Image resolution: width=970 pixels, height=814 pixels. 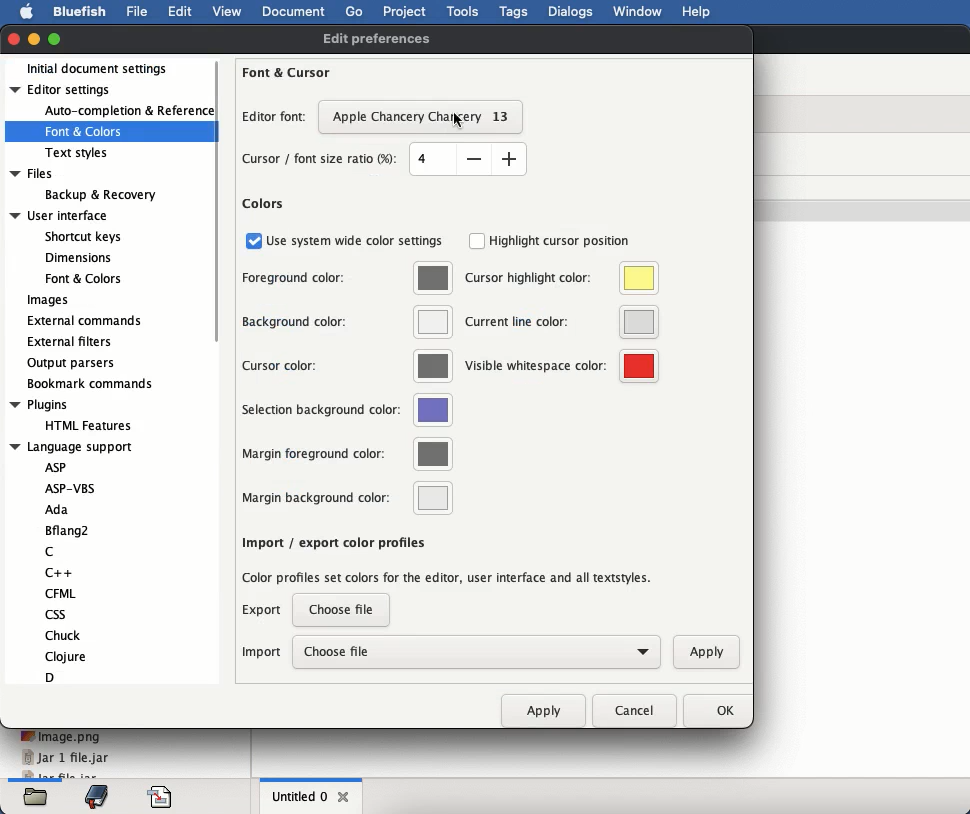 What do you see at coordinates (344, 241) in the screenshot?
I see `use system wide color settings` at bounding box center [344, 241].